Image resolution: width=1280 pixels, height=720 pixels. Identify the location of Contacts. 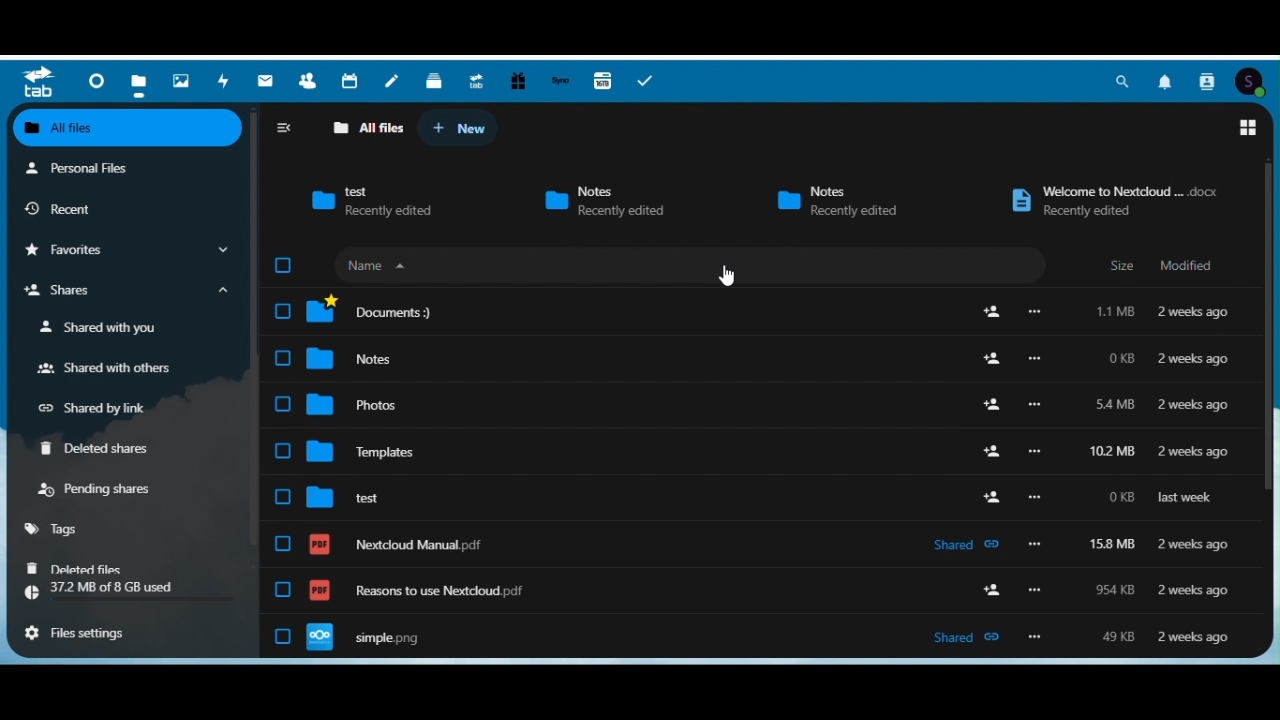
(309, 81).